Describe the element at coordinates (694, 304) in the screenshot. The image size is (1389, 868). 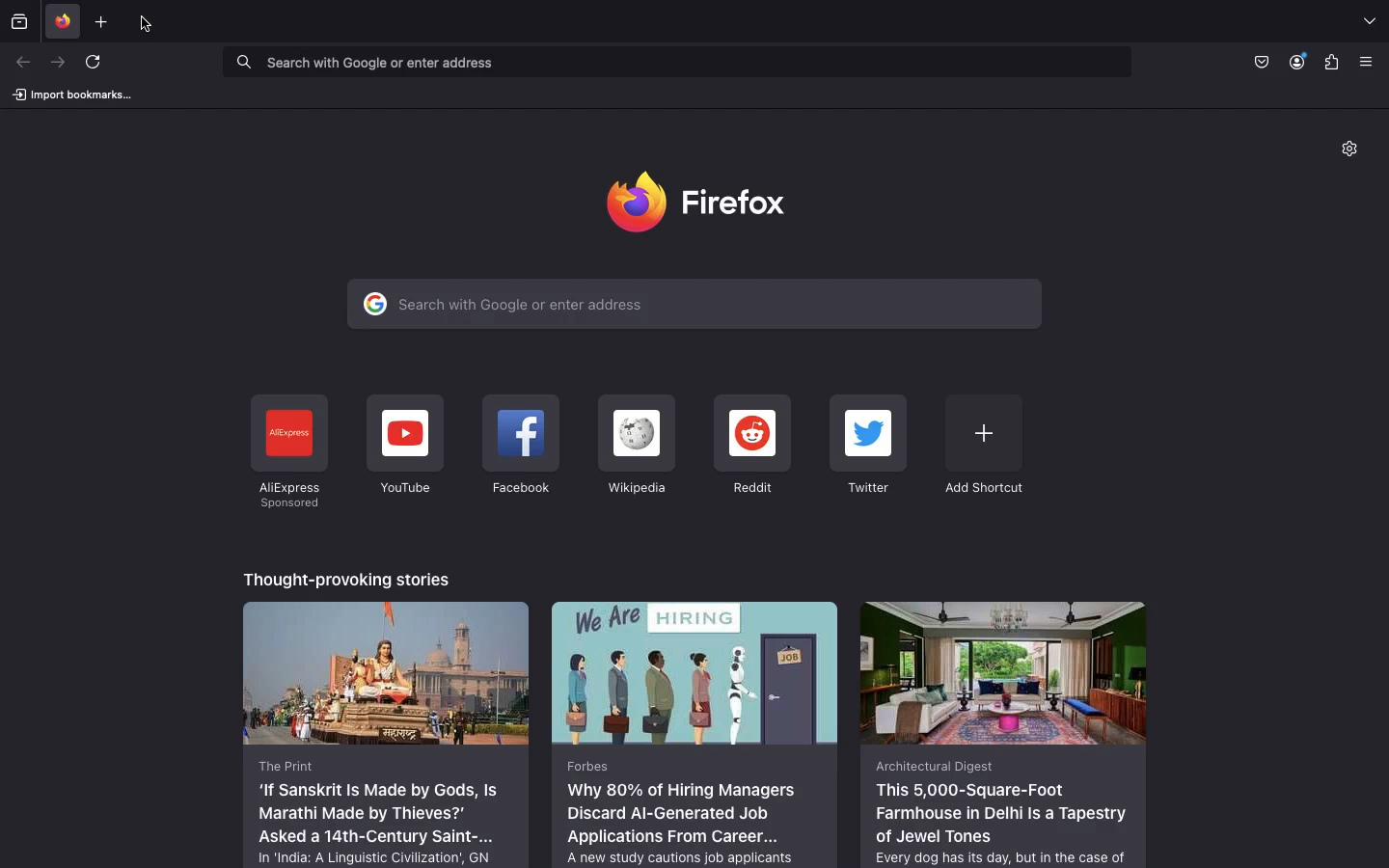
I see `Search bar` at that location.